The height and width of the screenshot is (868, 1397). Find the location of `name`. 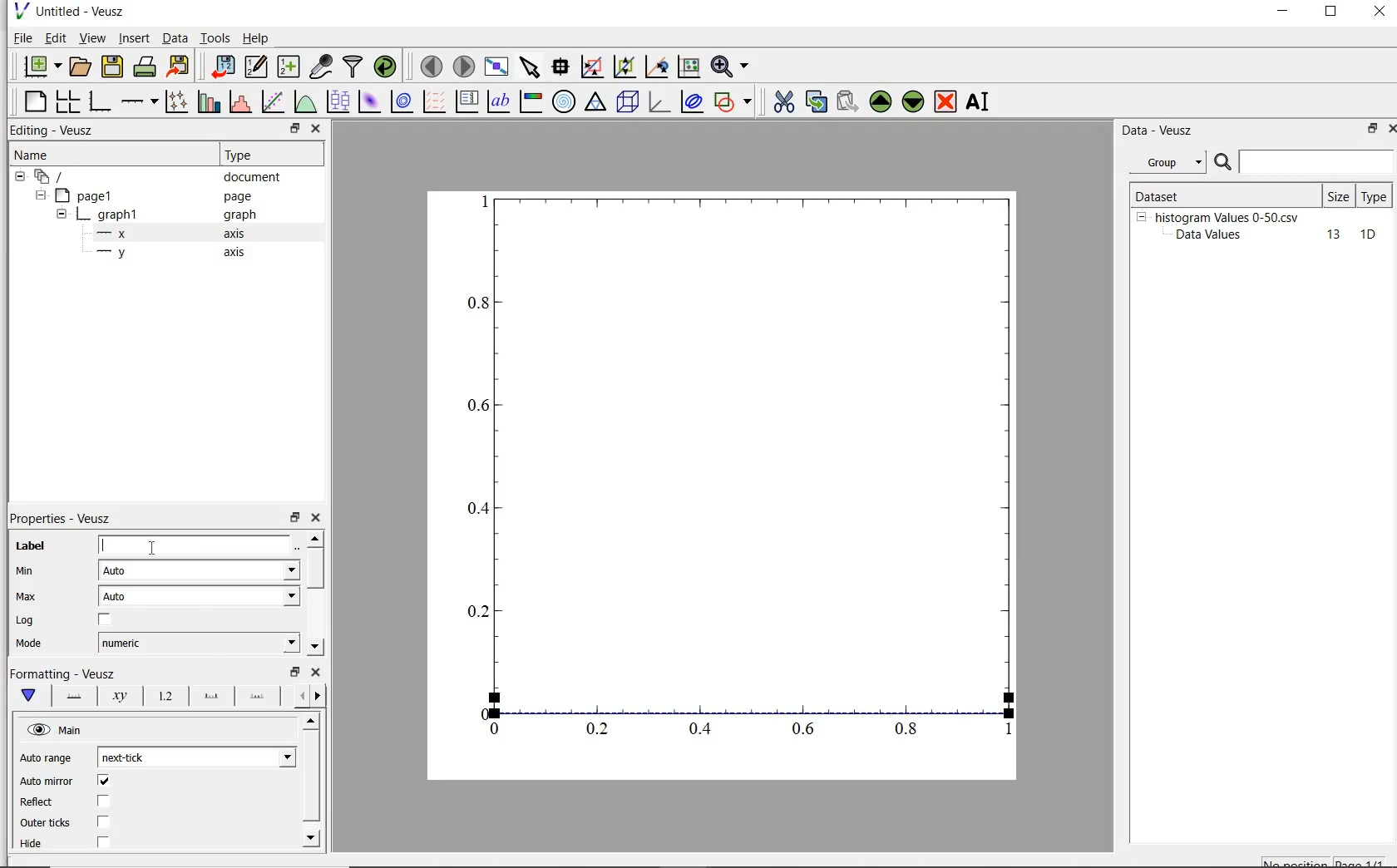

name is located at coordinates (30, 155).